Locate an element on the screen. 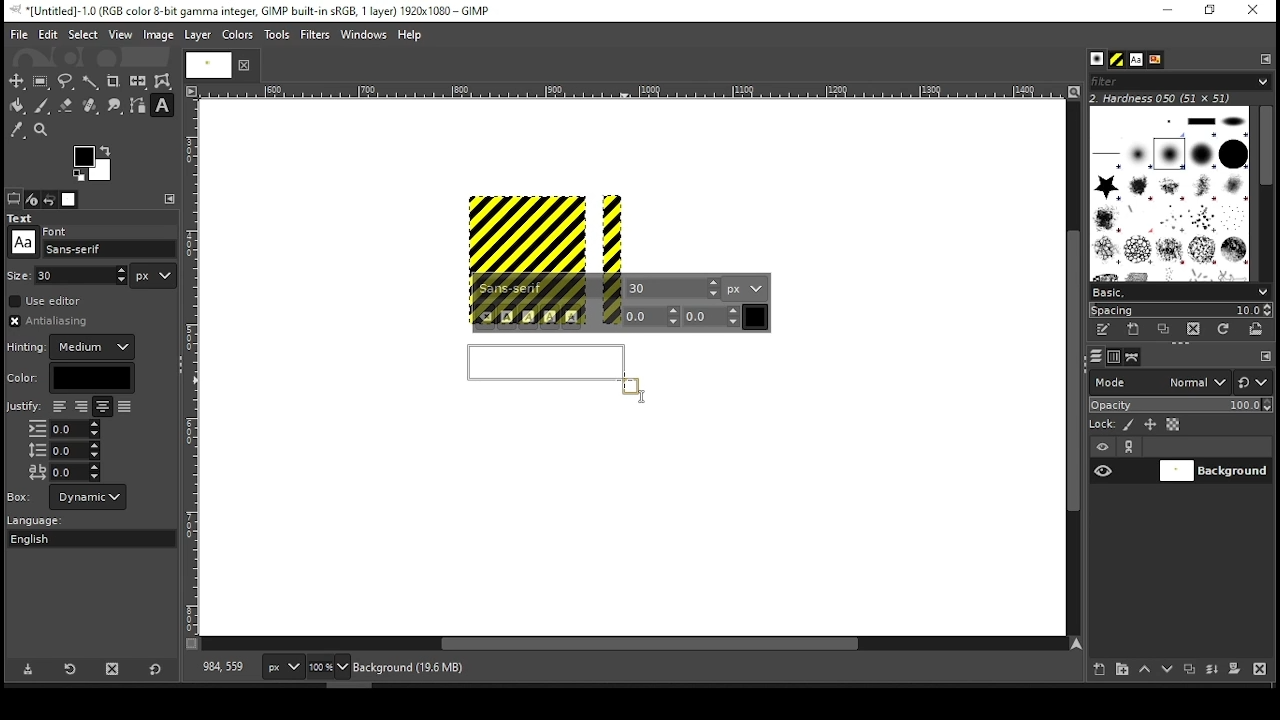 The image size is (1280, 720). color picker tool is located at coordinates (16, 132).